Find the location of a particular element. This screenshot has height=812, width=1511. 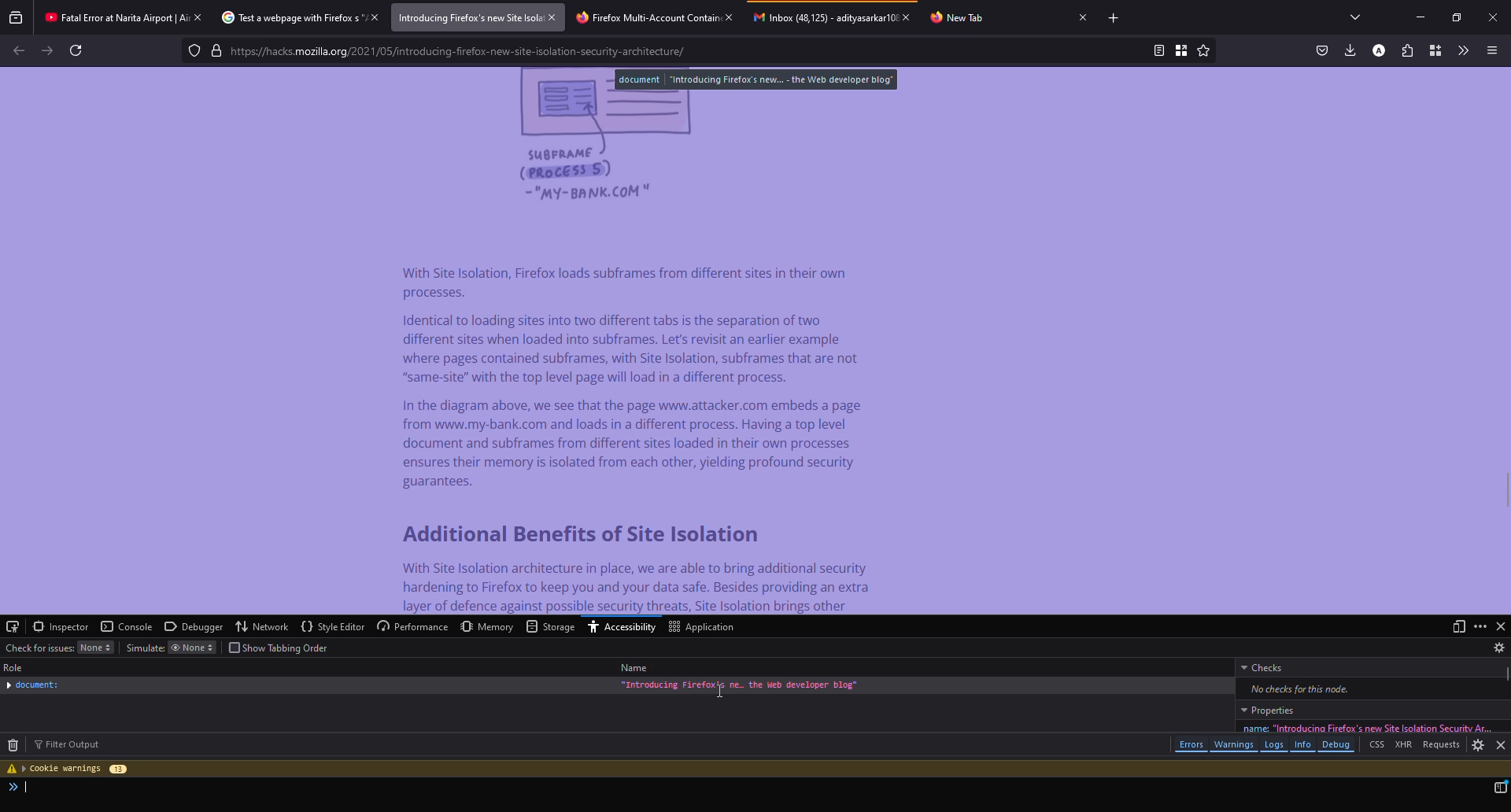

minimize is located at coordinates (1420, 18).